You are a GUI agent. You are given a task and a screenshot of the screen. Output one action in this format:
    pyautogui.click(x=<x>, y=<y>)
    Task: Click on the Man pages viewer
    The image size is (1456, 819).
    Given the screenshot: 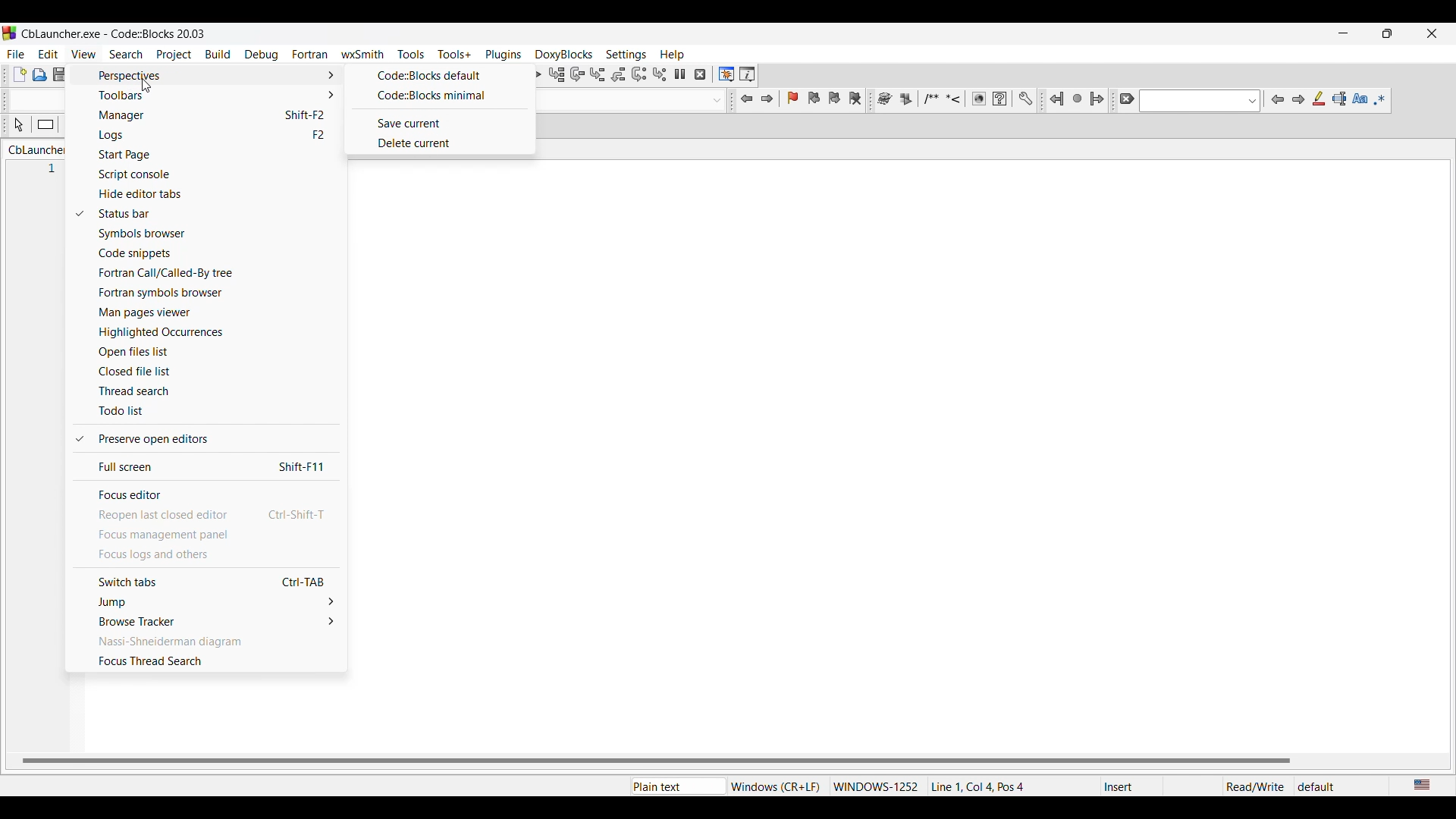 What is the action you would take?
    pyautogui.click(x=217, y=312)
    